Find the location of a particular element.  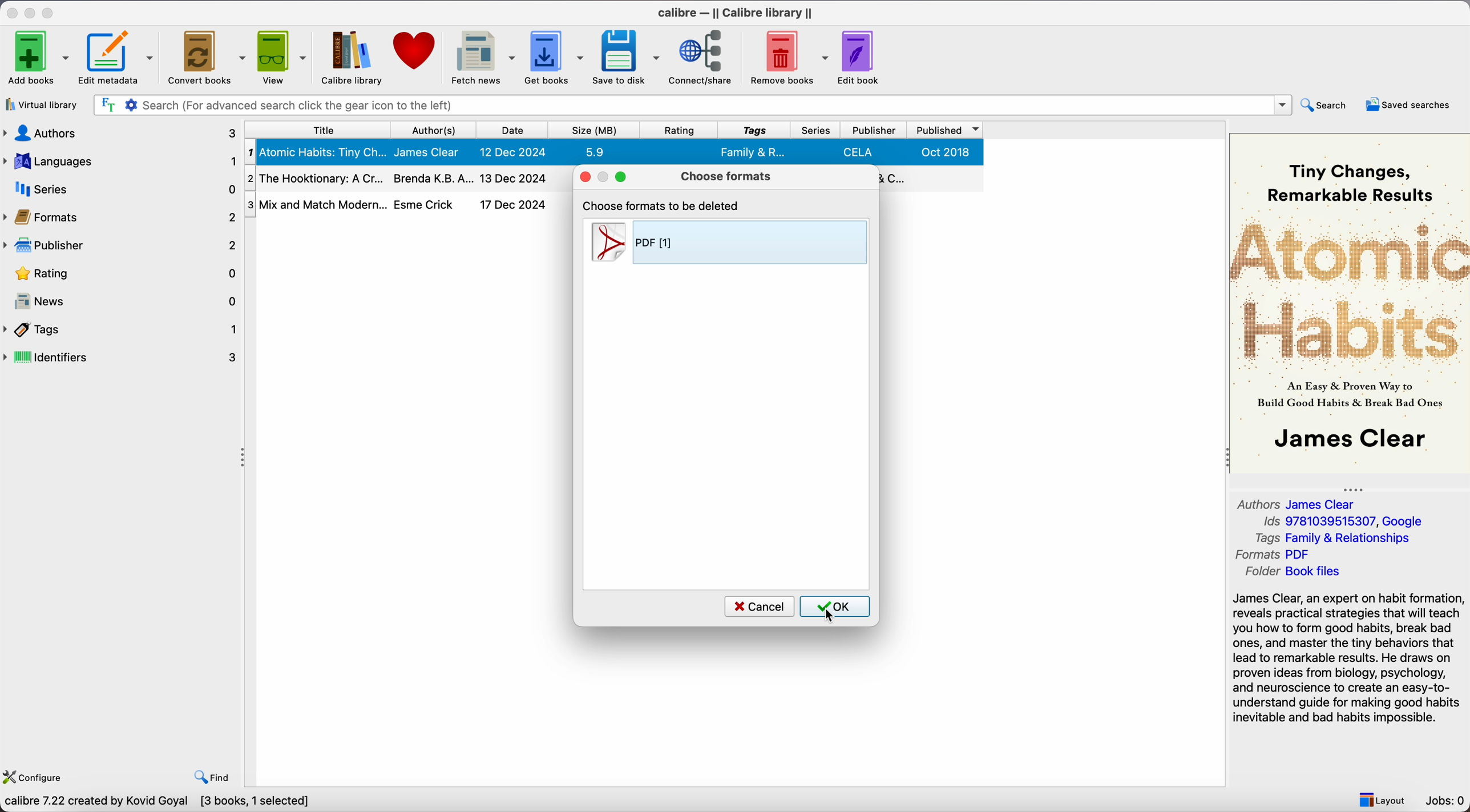

edit book is located at coordinates (862, 56).